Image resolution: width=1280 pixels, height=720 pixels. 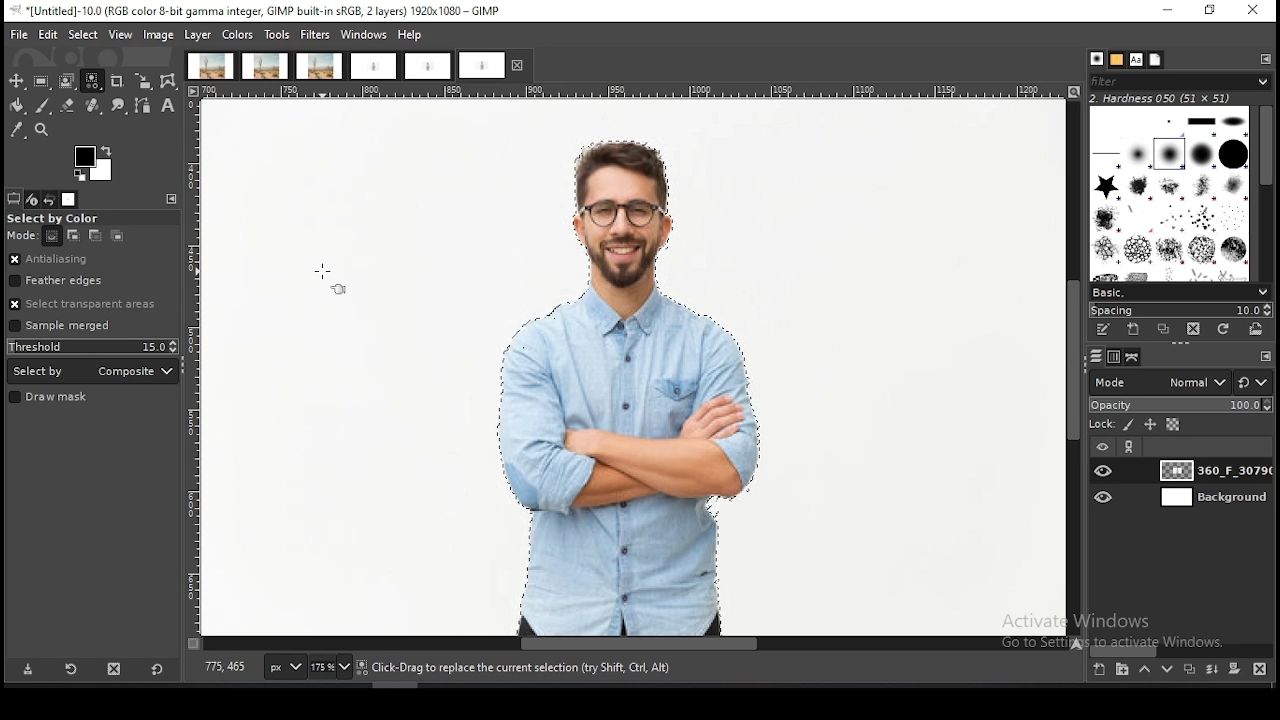 What do you see at coordinates (1171, 193) in the screenshot?
I see `brushes` at bounding box center [1171, 193].